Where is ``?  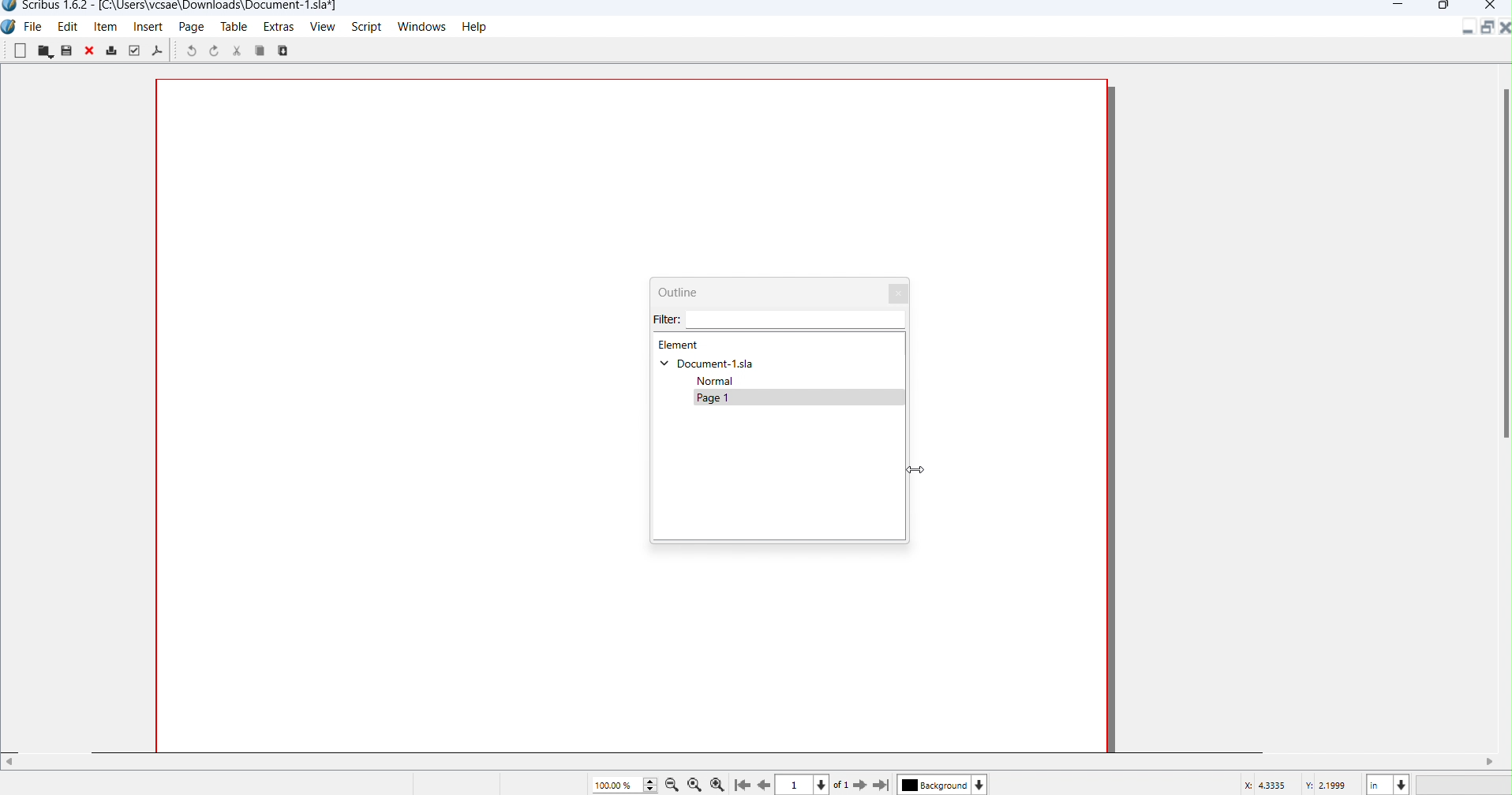
 is located at coordinates (240, 50).